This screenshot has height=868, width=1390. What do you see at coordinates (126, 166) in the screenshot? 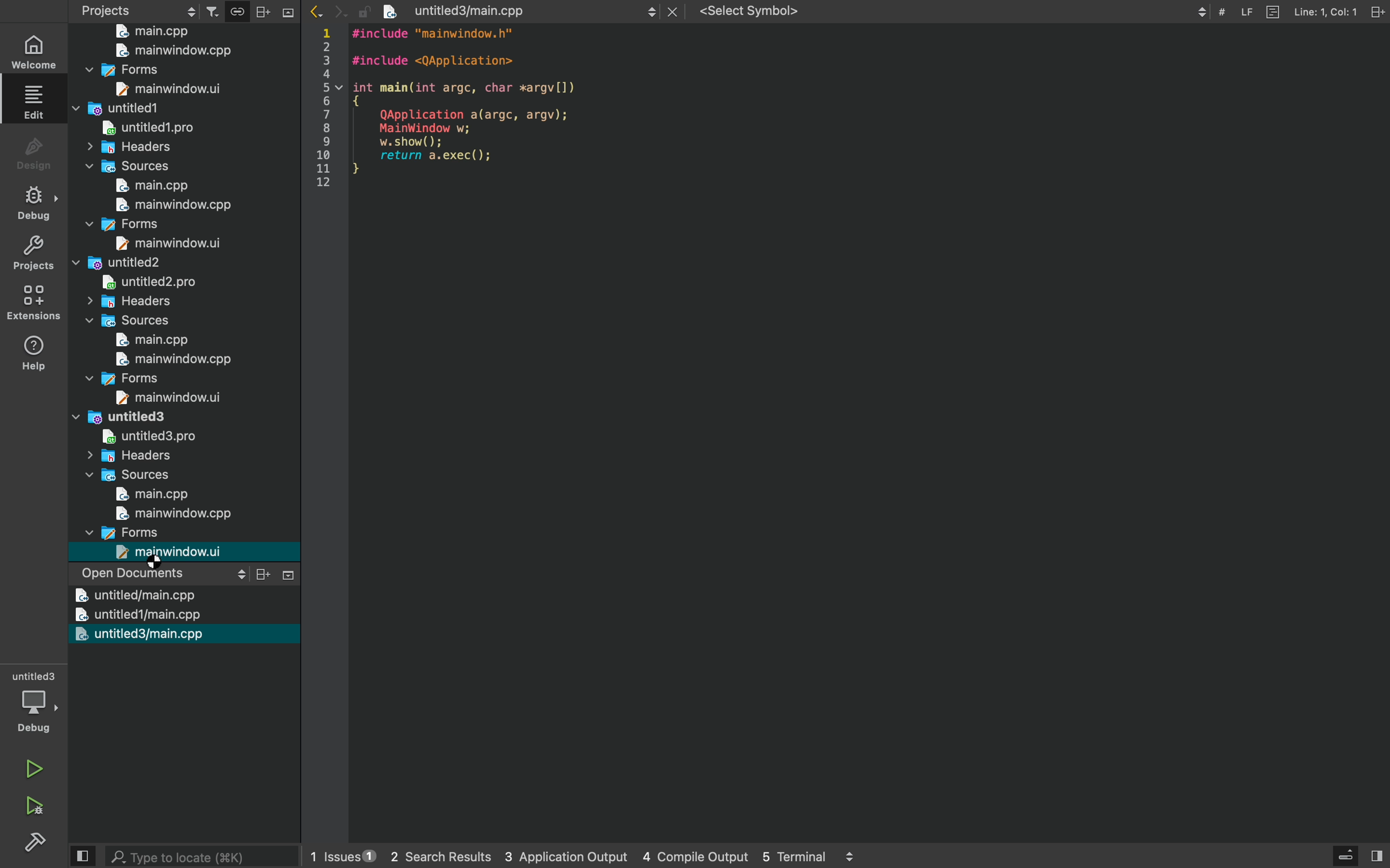
I see `Headers` at bounding box center [126, 166].